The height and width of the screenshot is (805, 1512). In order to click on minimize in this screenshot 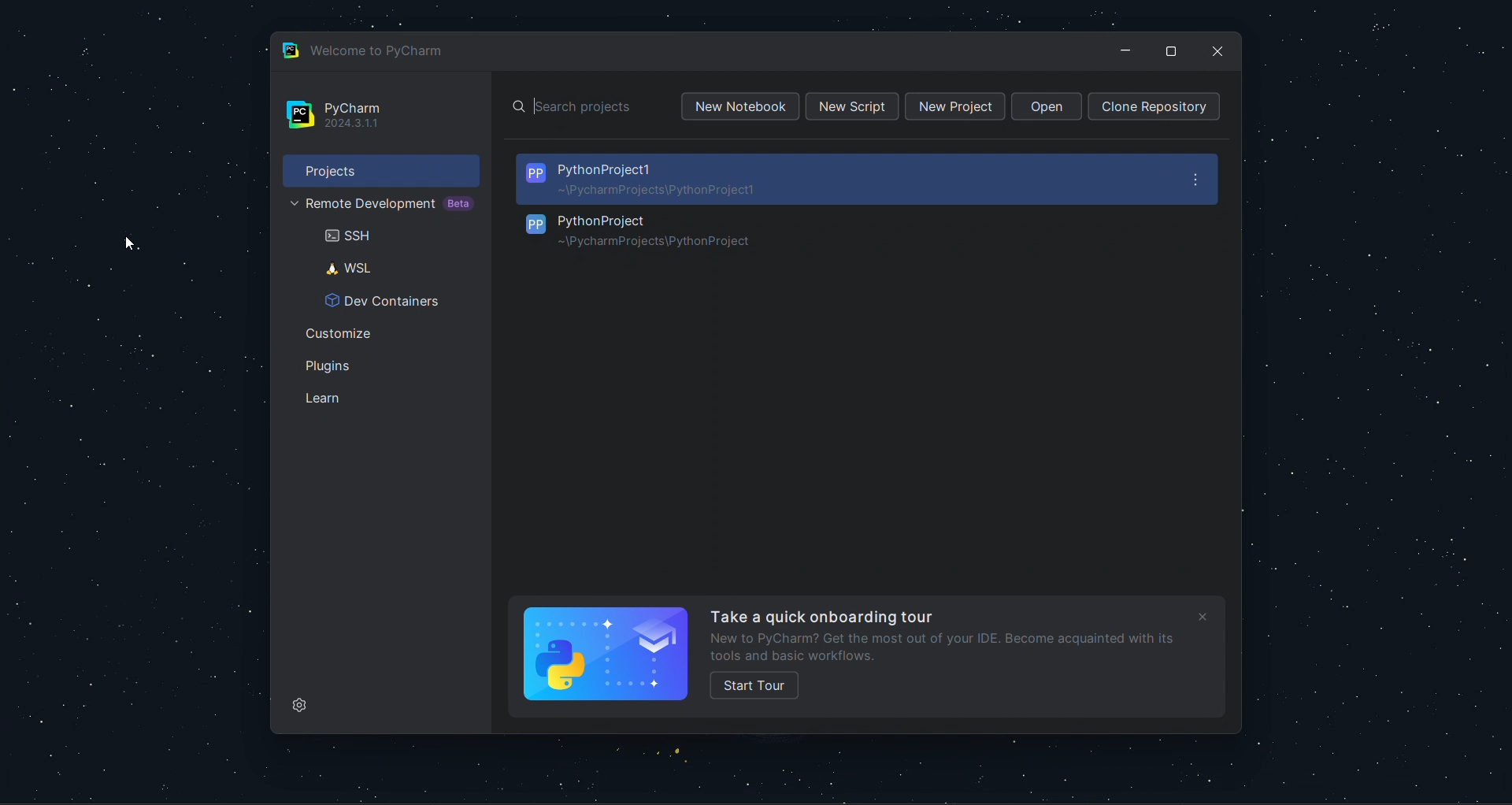, I will do `click(1125, 52)`.